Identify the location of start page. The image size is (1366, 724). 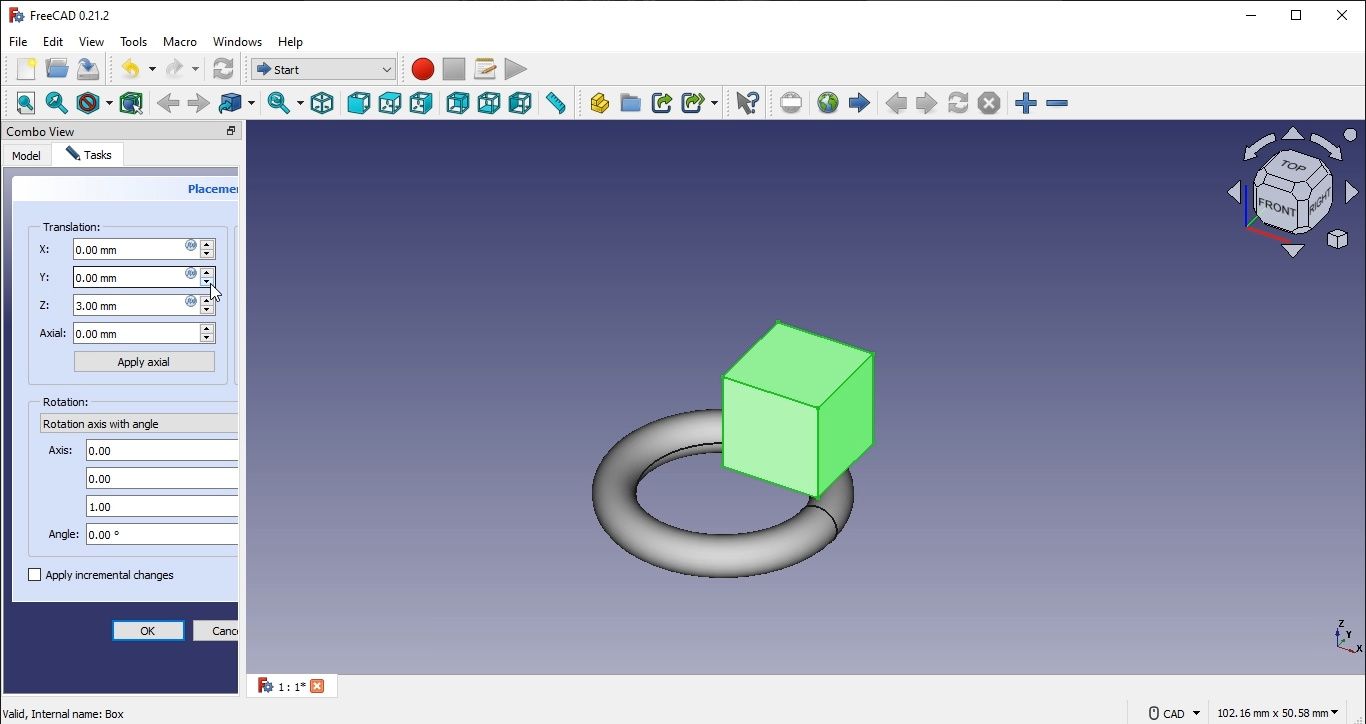
(860, 102).